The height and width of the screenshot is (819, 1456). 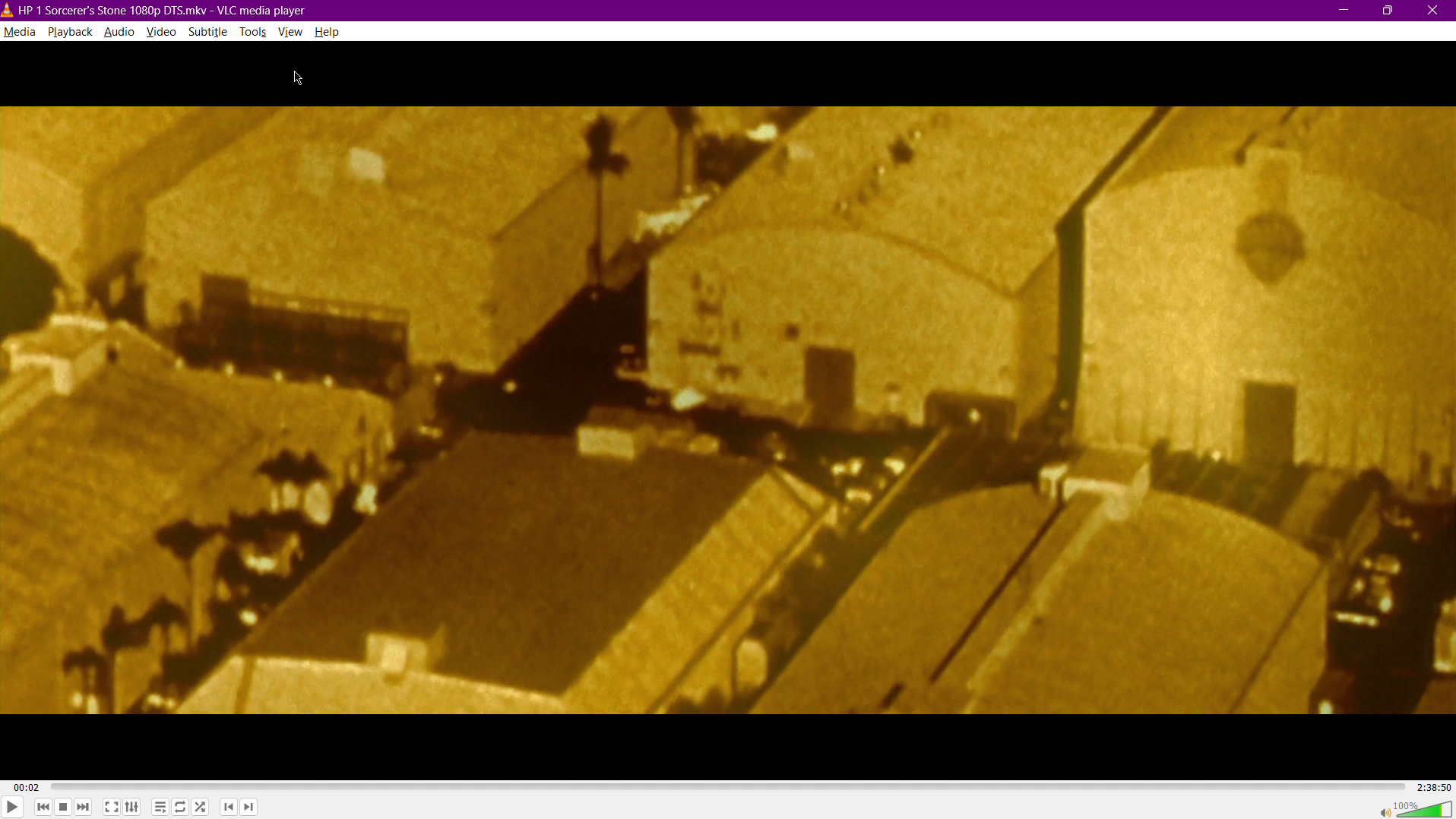 What do you see at coordinates (1432, 786) in the screenshot?
I see `2:38:50` at bounding box center [1432, 786].